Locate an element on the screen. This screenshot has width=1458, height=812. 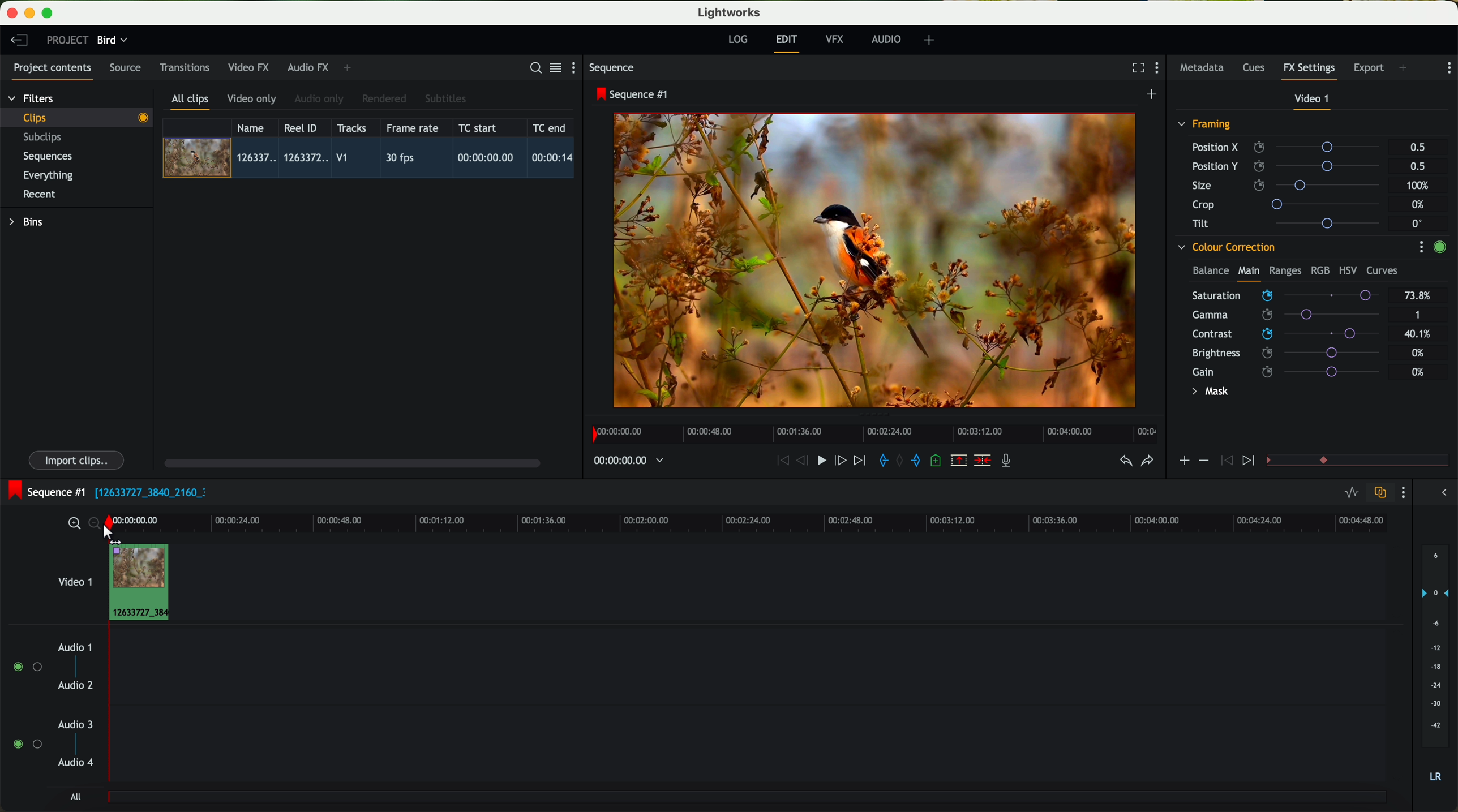
audio is located at coordinates (886, 39).